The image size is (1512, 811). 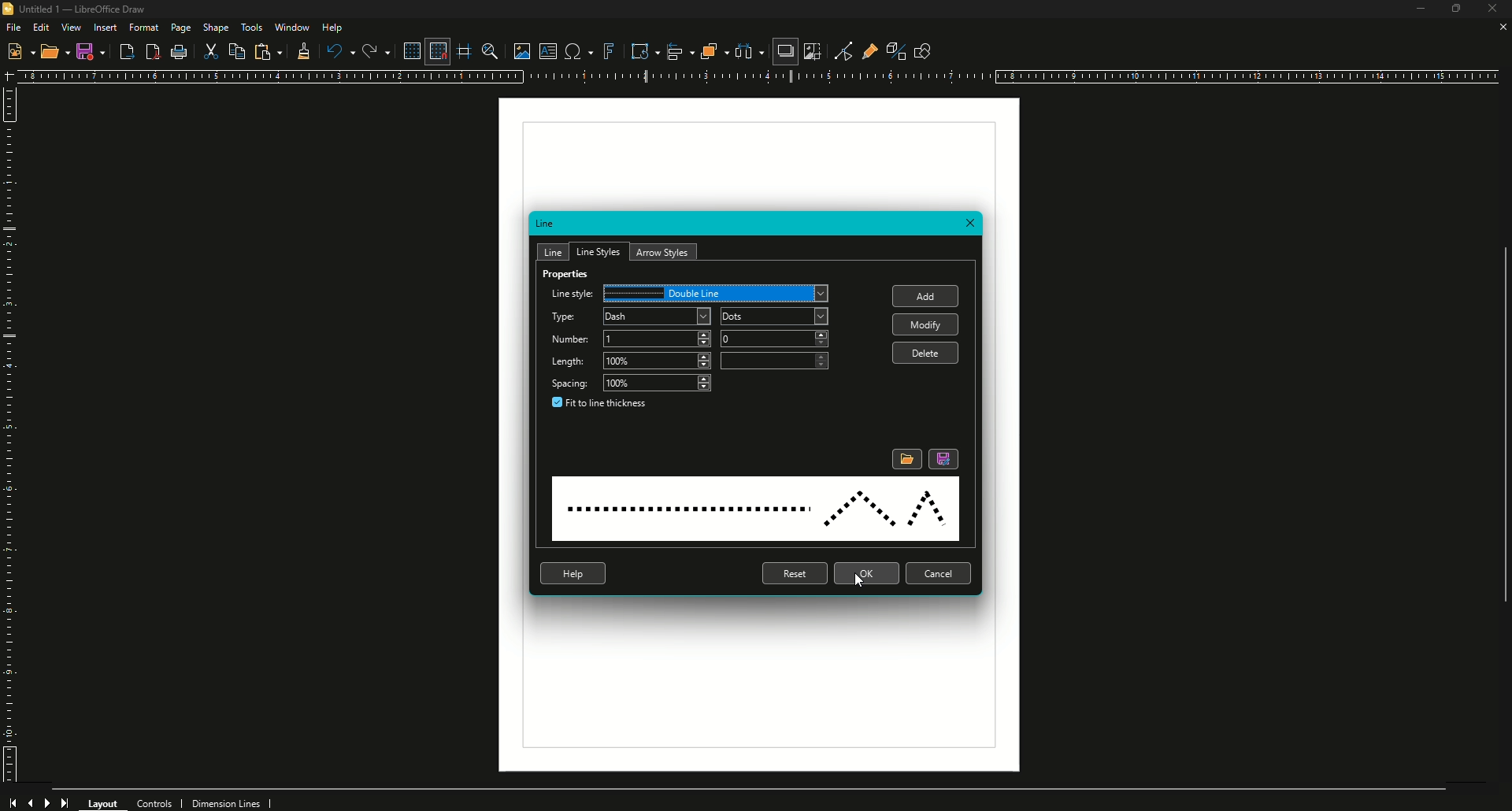 I want to click on Line, so click(x=547, y=224).